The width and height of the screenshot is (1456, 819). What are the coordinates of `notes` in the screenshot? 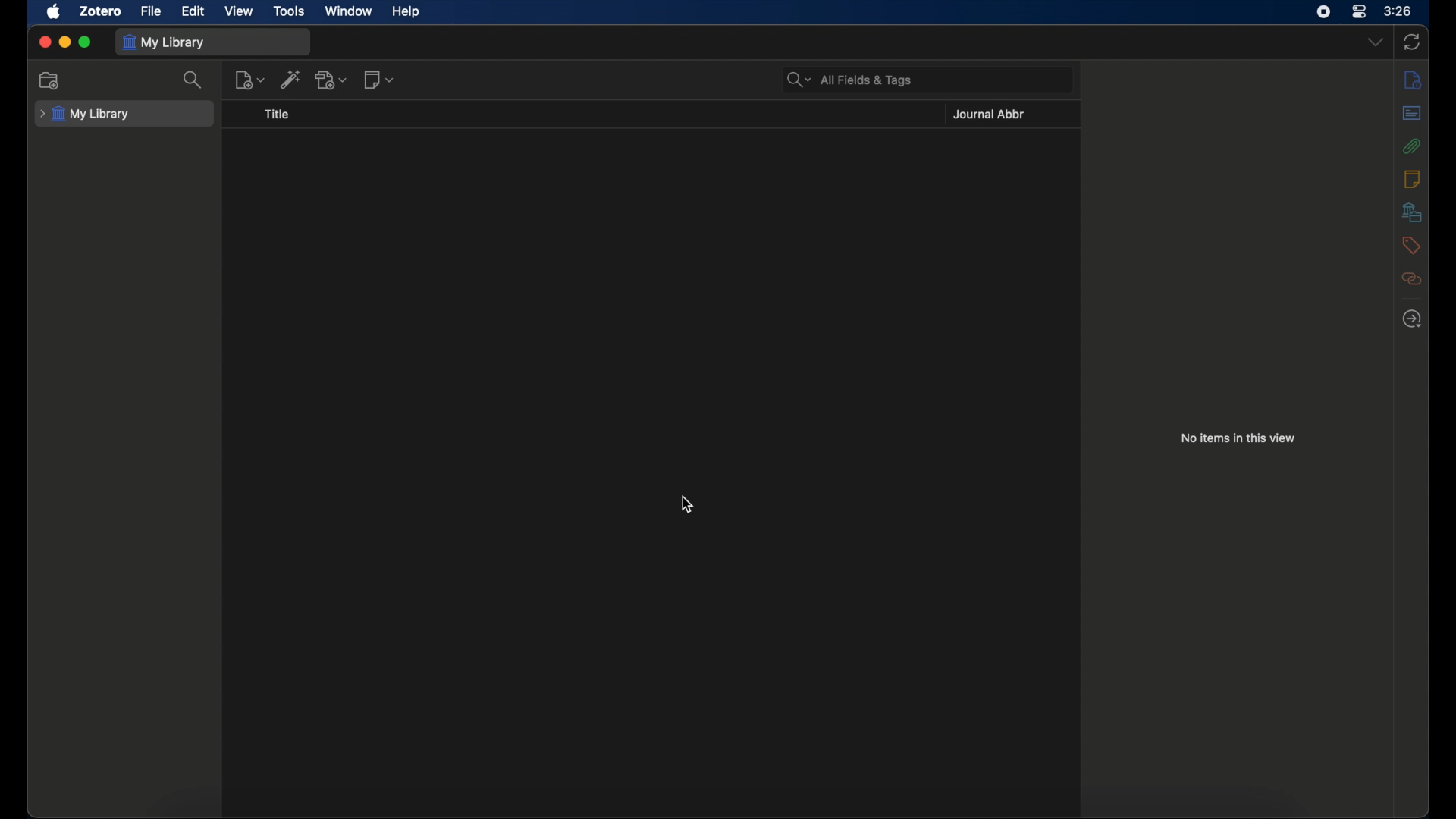 It's located at (1411, 177).